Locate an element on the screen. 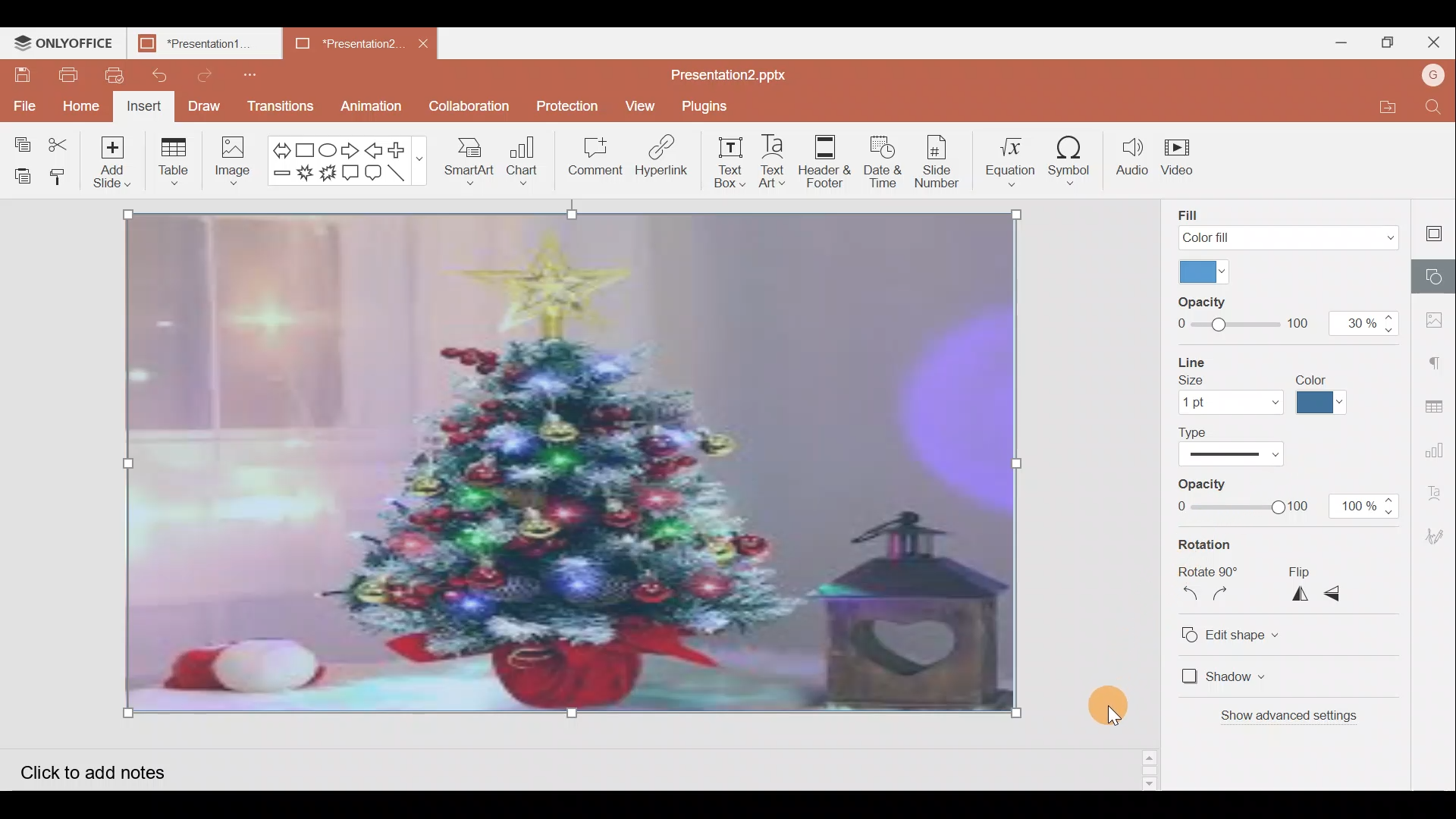  Presentation2.pptx is located at coordinates (740, 72).